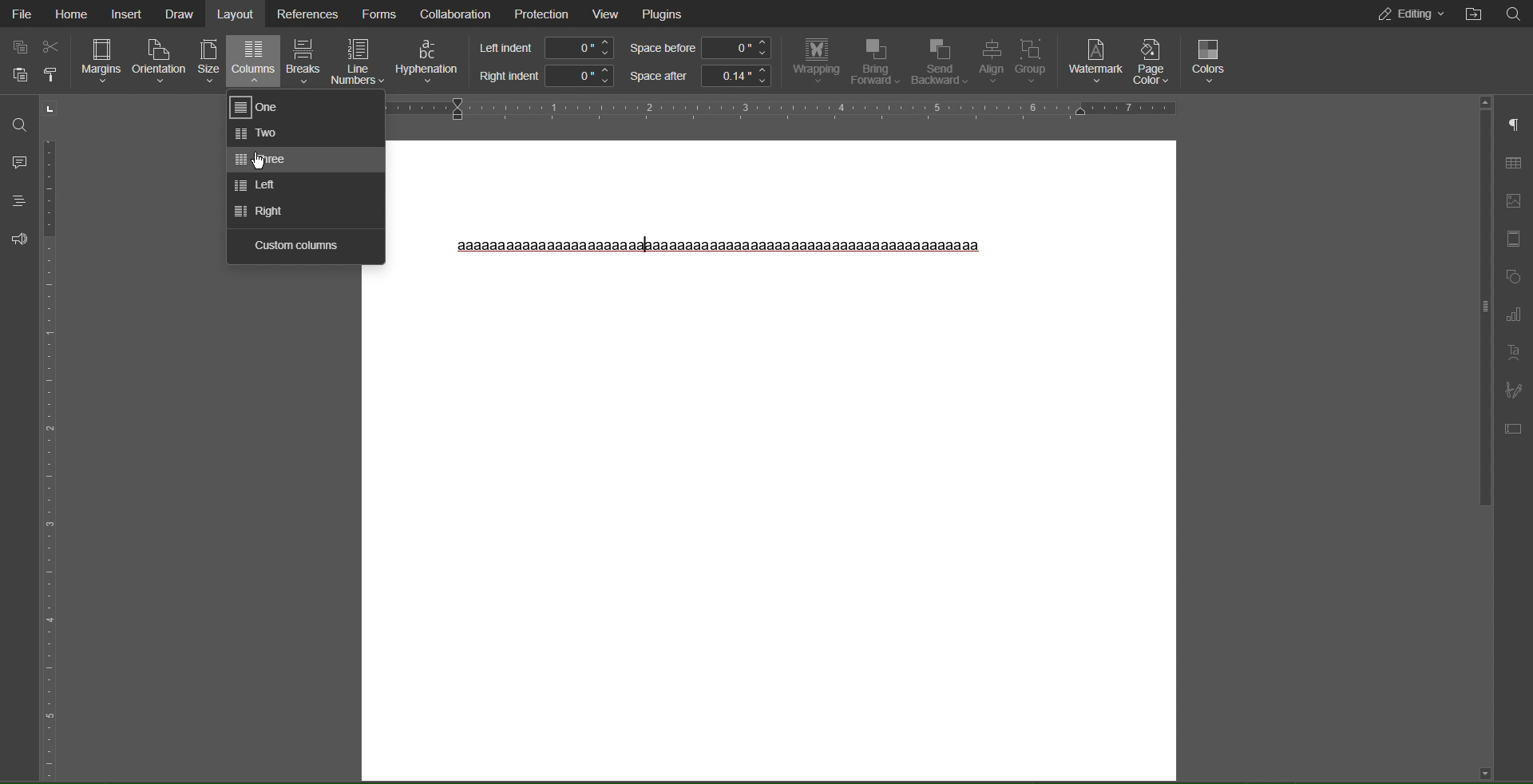  What do you see at coordinates (1514, 426) in the screenshot?
I see `Text File Settings` at bounding box center [1514, 426].